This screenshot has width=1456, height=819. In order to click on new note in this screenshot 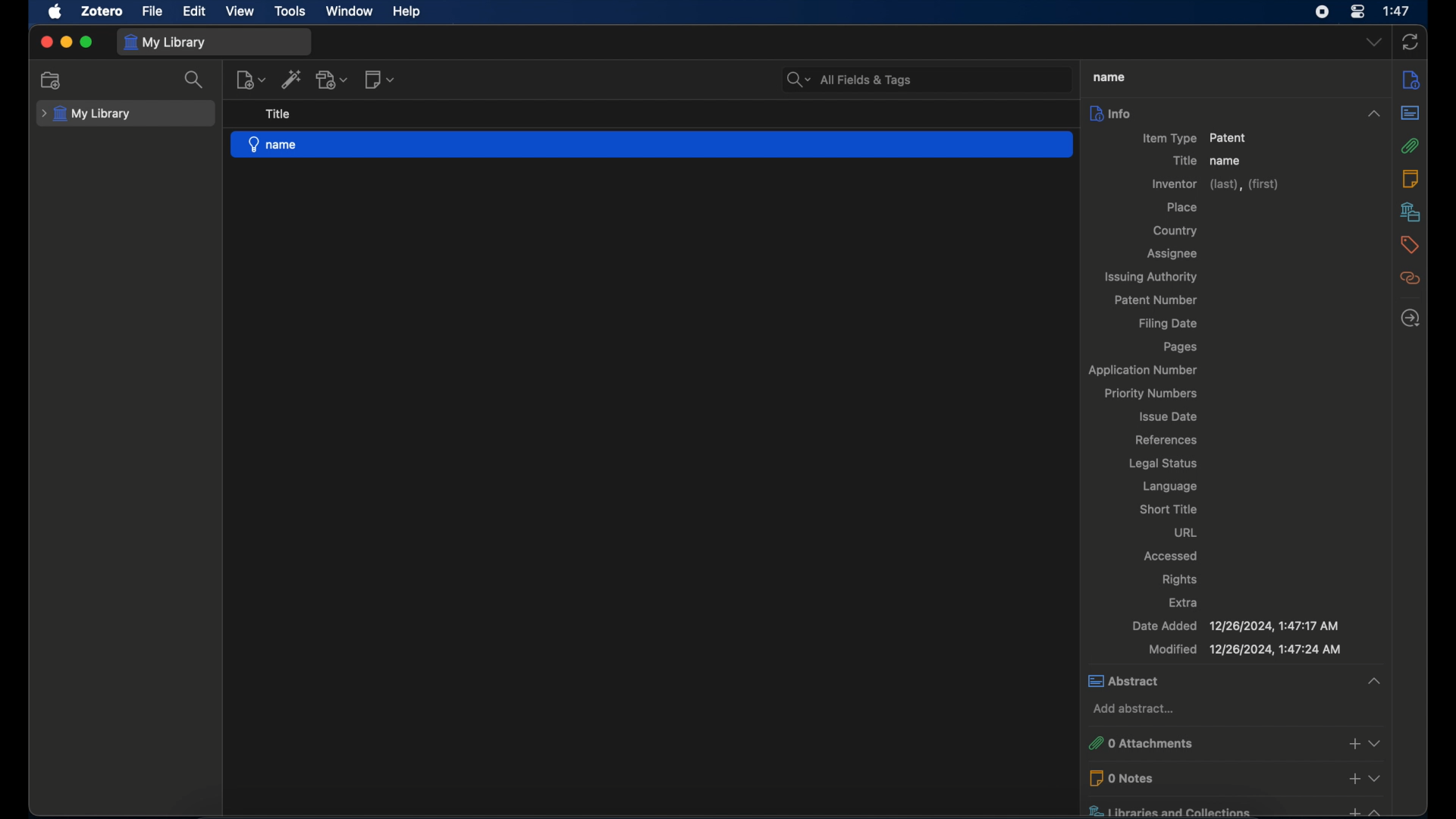, I will do `click(378, 80)`.